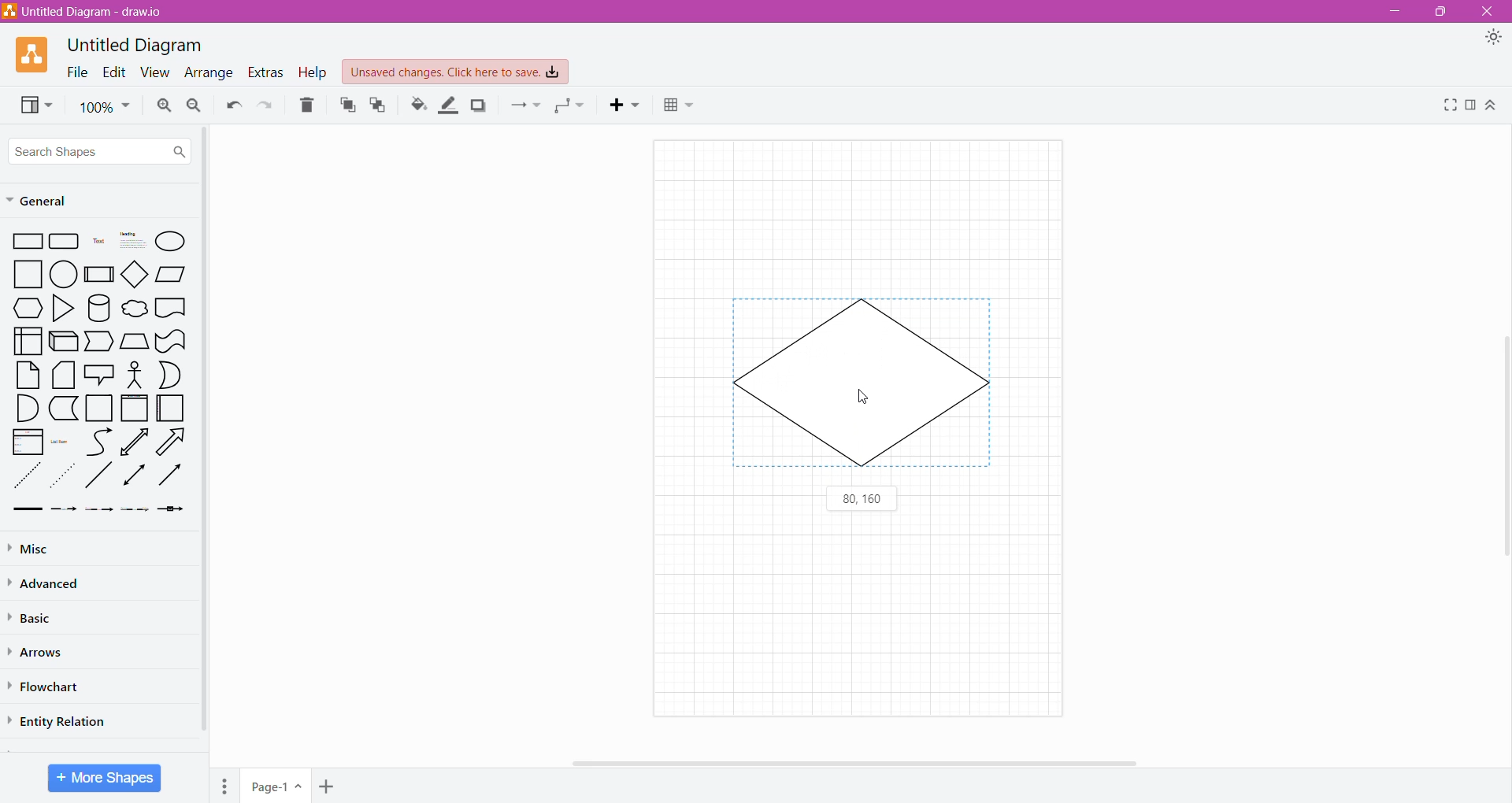  I want to click on Heading with Text, so click(134, 242).